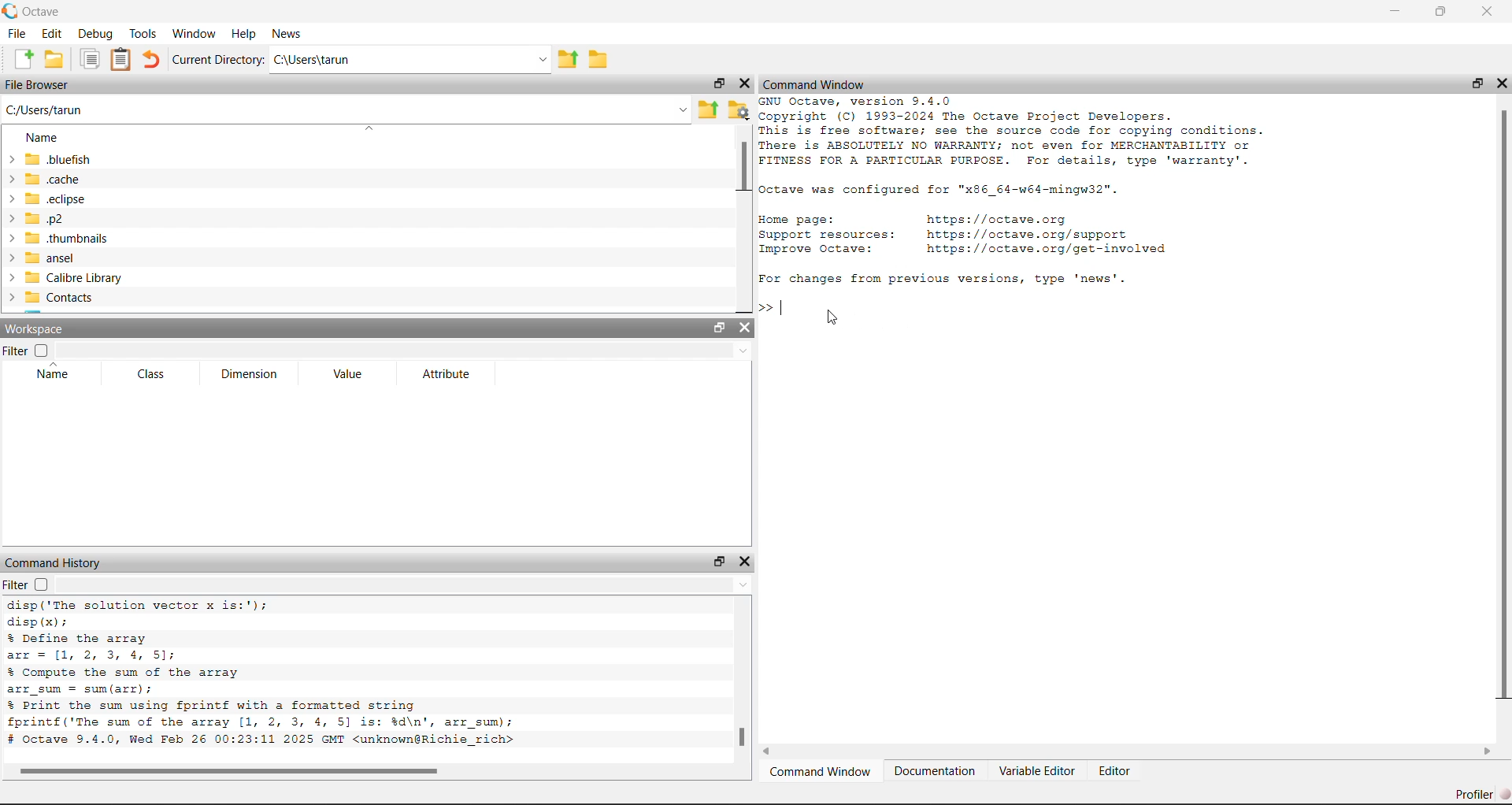  Describe the element at coordinates (24, 58) in the screenshot. I see `New Script` at that location.